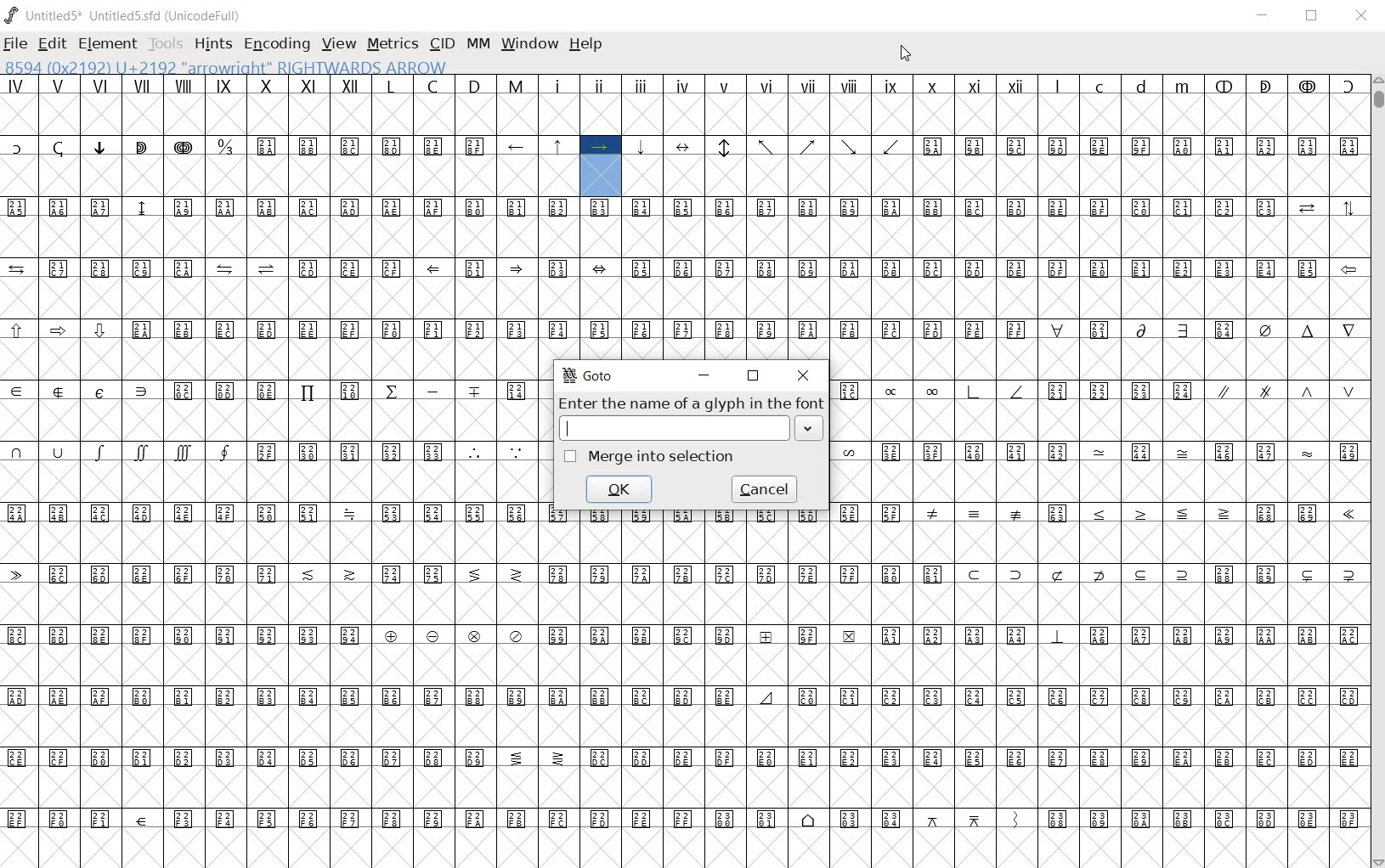  I want to click on 8594 (0x2192) U+2192 "arrowright" RIGHTWARDS ARROW, so click(226, 67).